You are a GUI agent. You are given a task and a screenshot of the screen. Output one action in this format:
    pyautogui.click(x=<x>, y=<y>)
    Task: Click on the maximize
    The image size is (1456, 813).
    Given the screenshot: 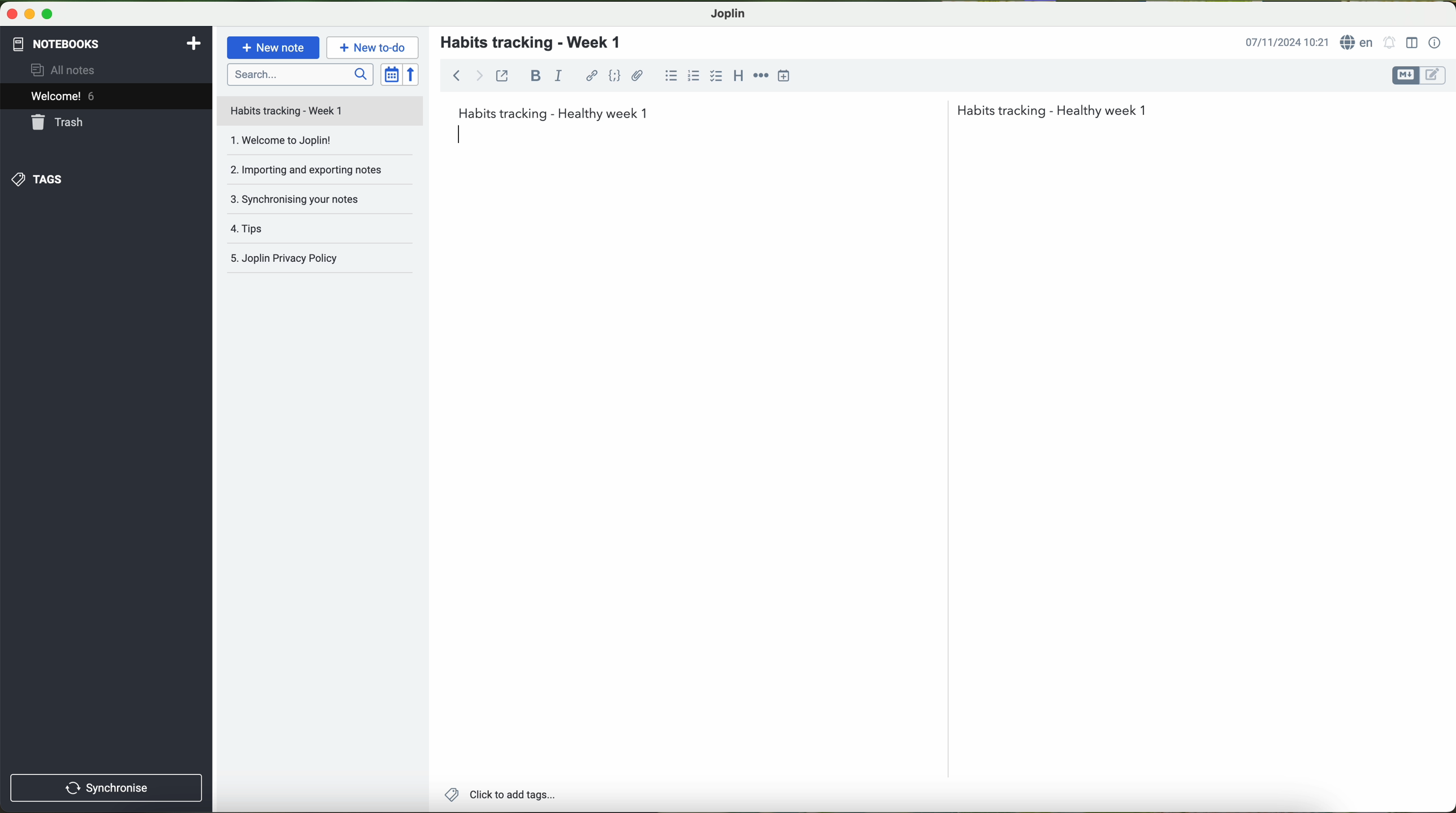 What is the action you would take?
    pyautogui.click(x=48, y=14)
    